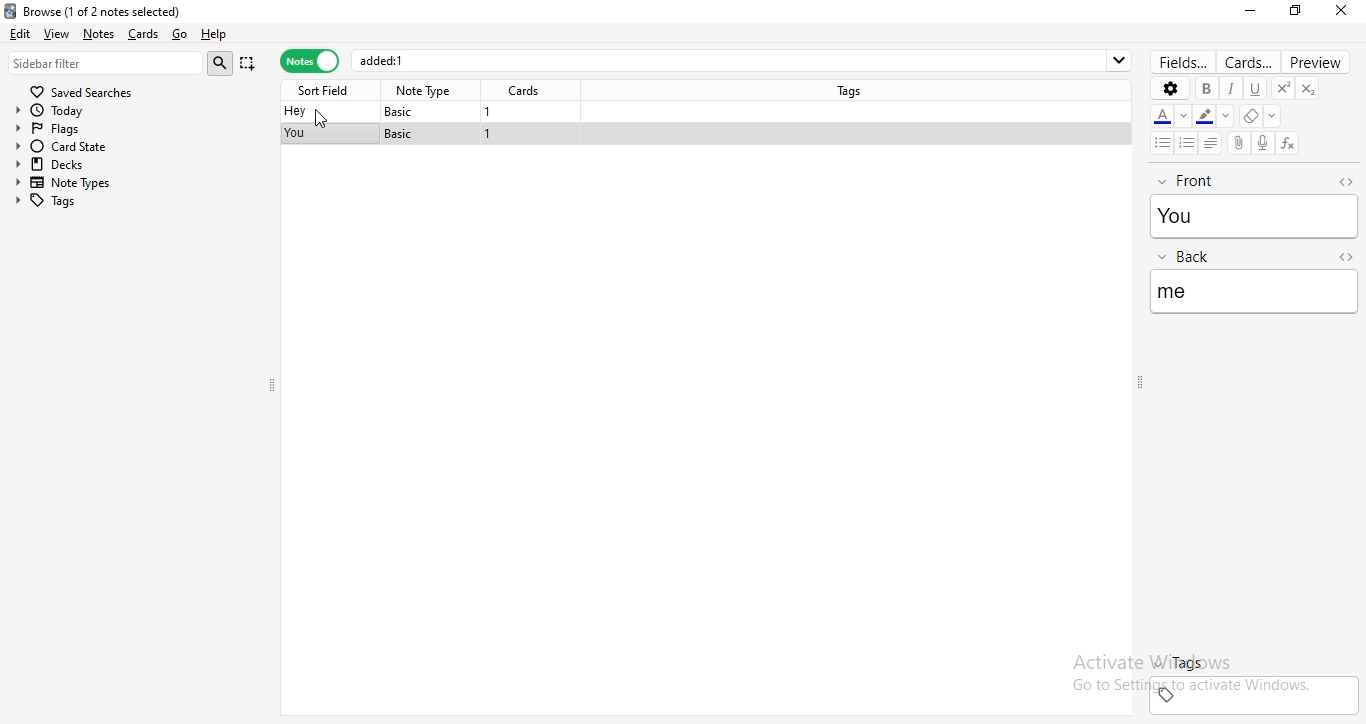 This screenshot has height=724, width=1366. Describe the element at coordinates (1262, 142) in the screenshot. I see `record` at that location.